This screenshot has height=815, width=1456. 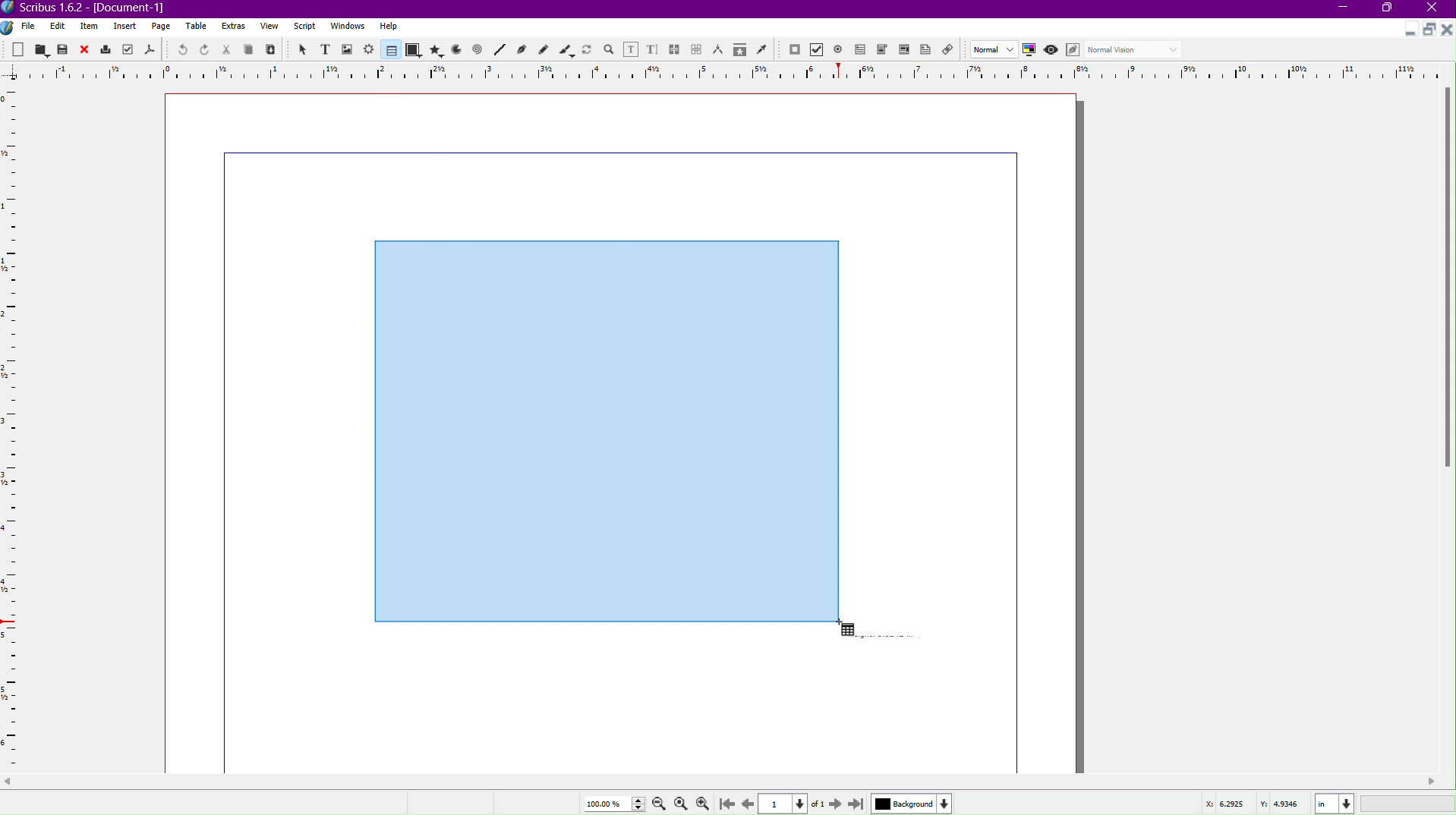 I want to click on Render Frame, so click(x=370, y=49).